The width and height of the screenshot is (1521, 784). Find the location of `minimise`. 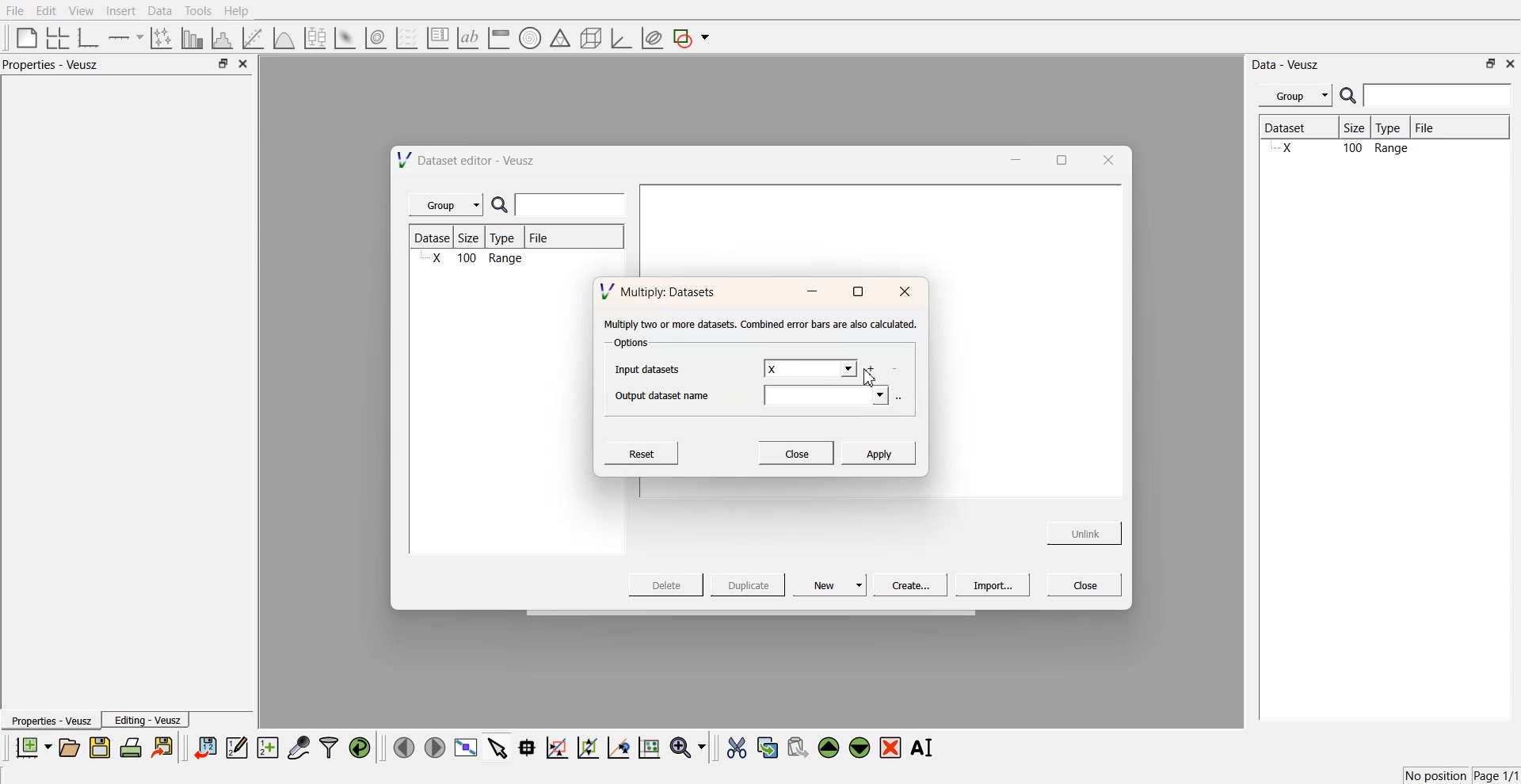

minimise is located at coordinates (811, 292).